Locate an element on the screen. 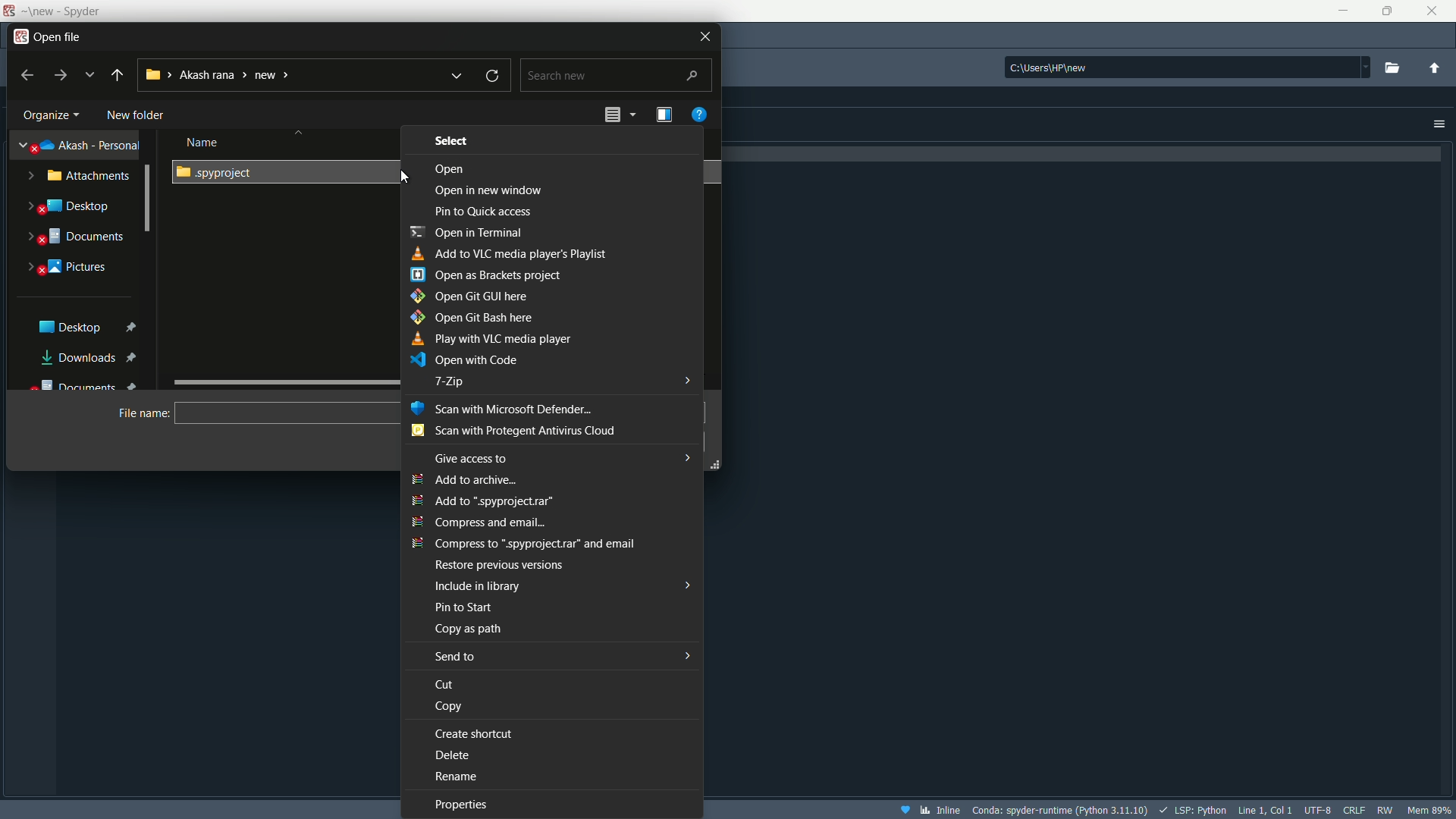  refresh is located at coordinates (497, 77).